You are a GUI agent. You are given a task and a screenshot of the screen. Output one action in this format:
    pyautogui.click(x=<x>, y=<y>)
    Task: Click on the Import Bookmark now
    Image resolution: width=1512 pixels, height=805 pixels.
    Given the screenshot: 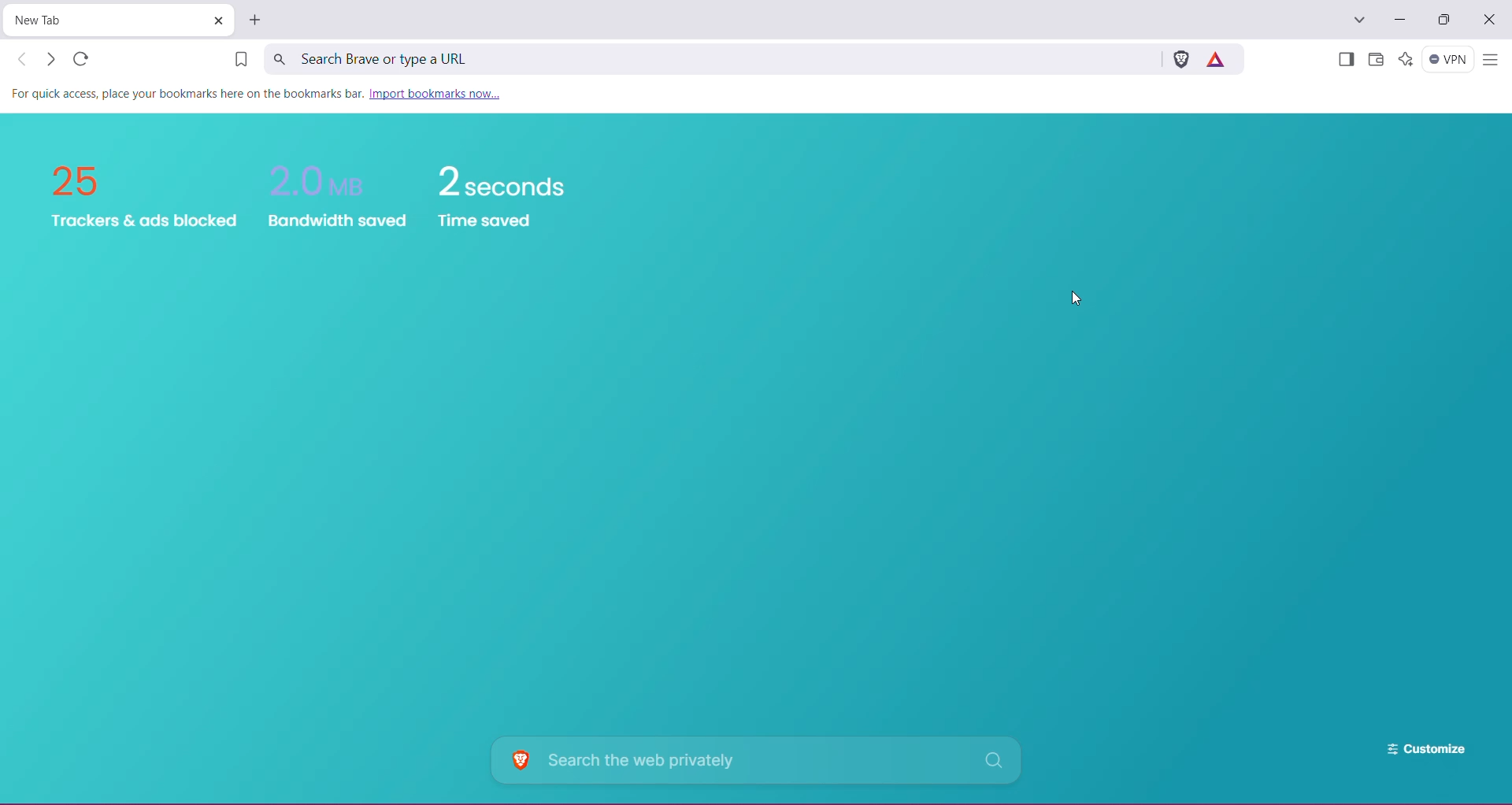 What is the action you would take?
    pyautogui.click(x=441, y=95)
    